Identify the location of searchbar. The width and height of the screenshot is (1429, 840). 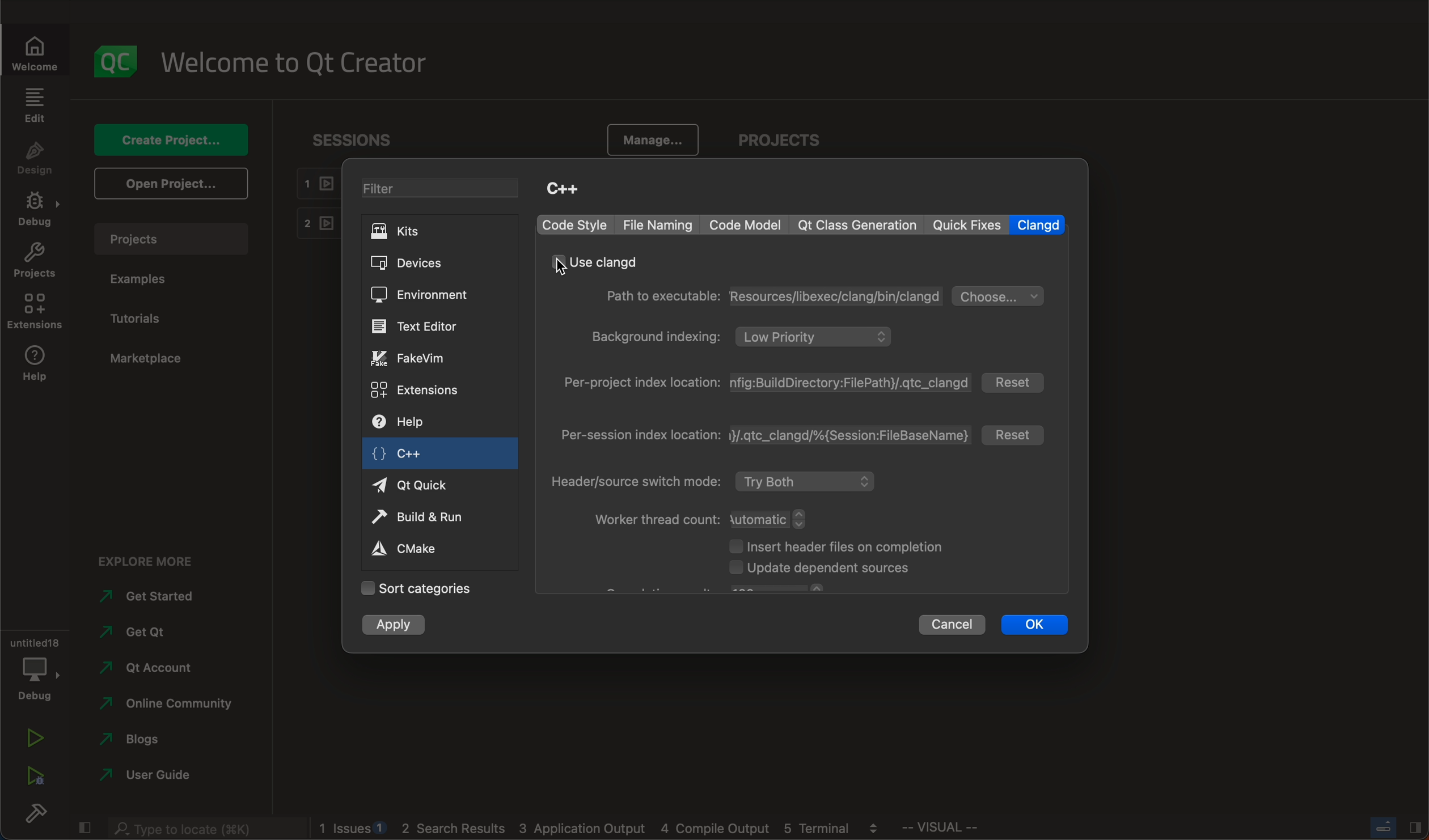
(203, 829).